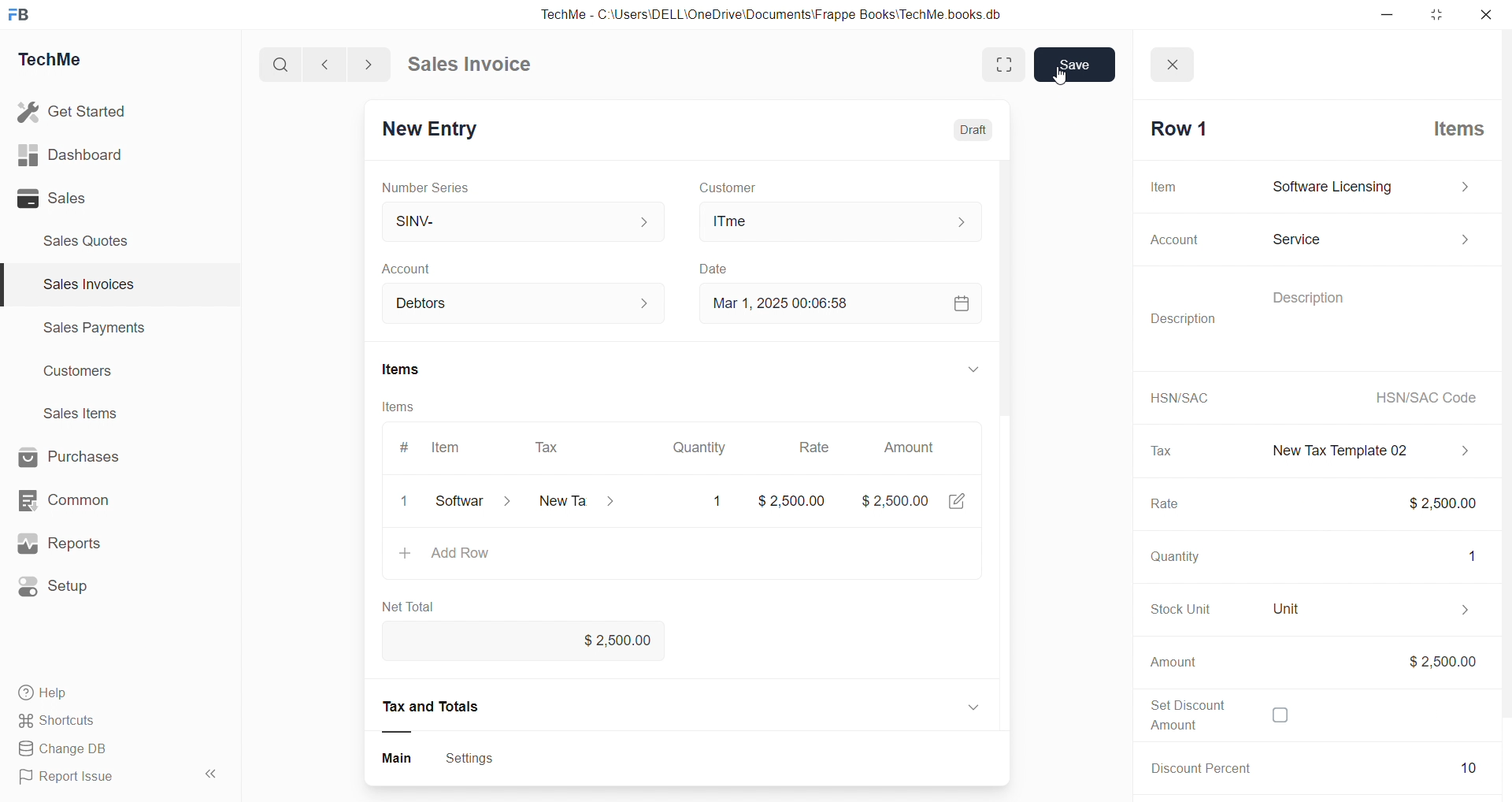 This screenshot has width=1512, height=802. I want to click on Mar 1, 2025 00:06:58, so click(774, 303).